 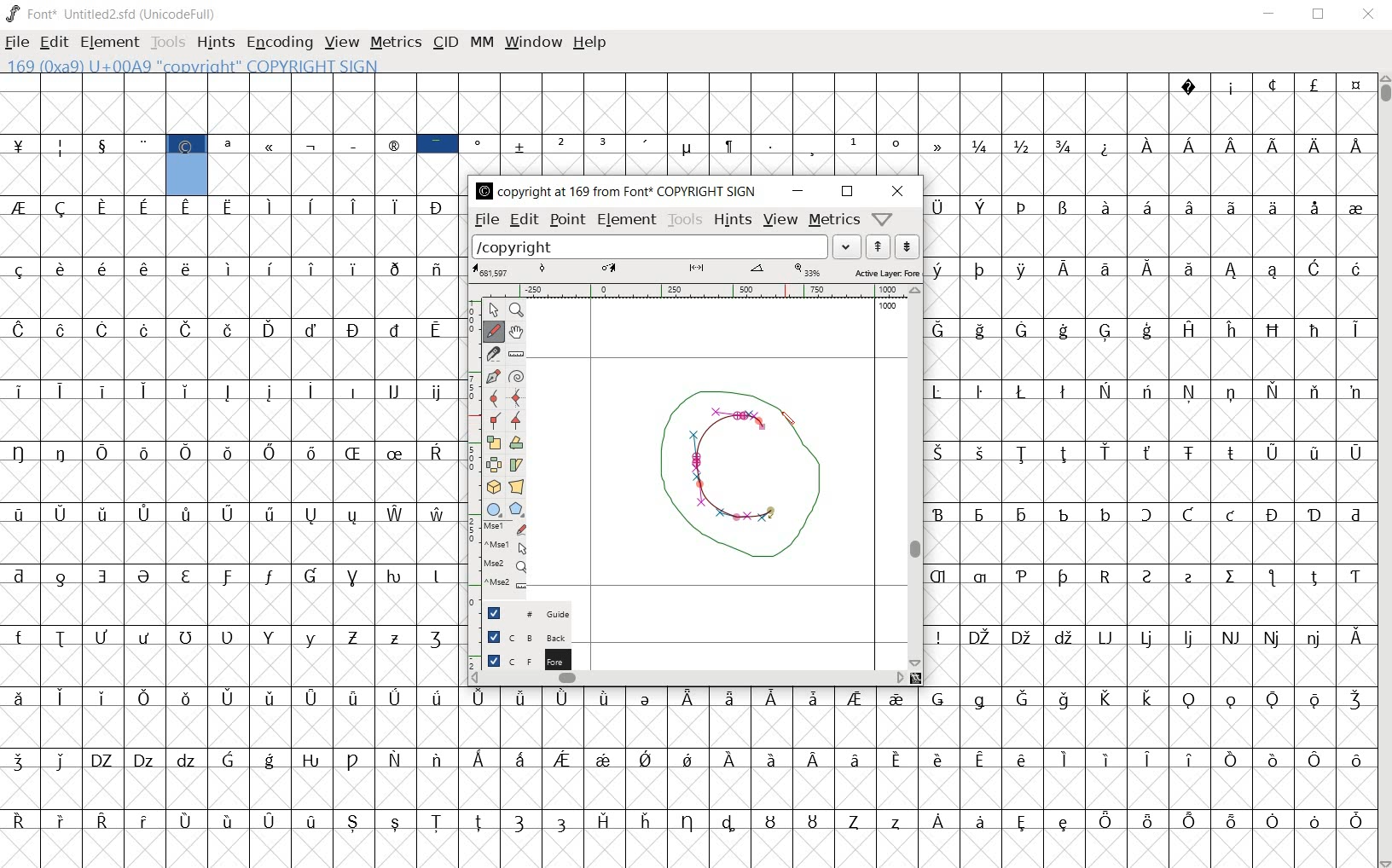 What do you see at coordinates (742, 481) in the screenshot?
I see `designing copyright glyph` at bounding box center [742, 481].